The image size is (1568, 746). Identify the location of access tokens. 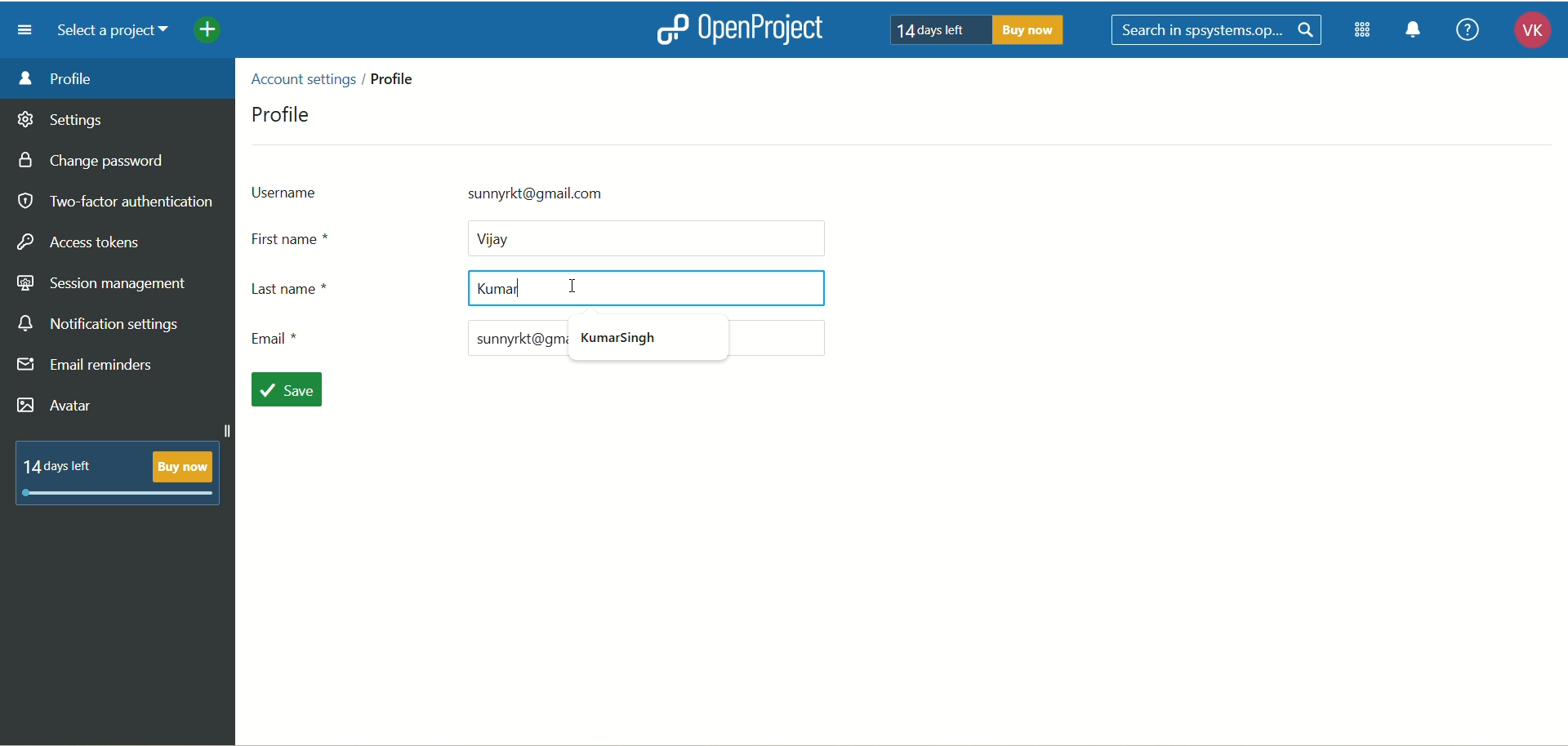
(82, 240).